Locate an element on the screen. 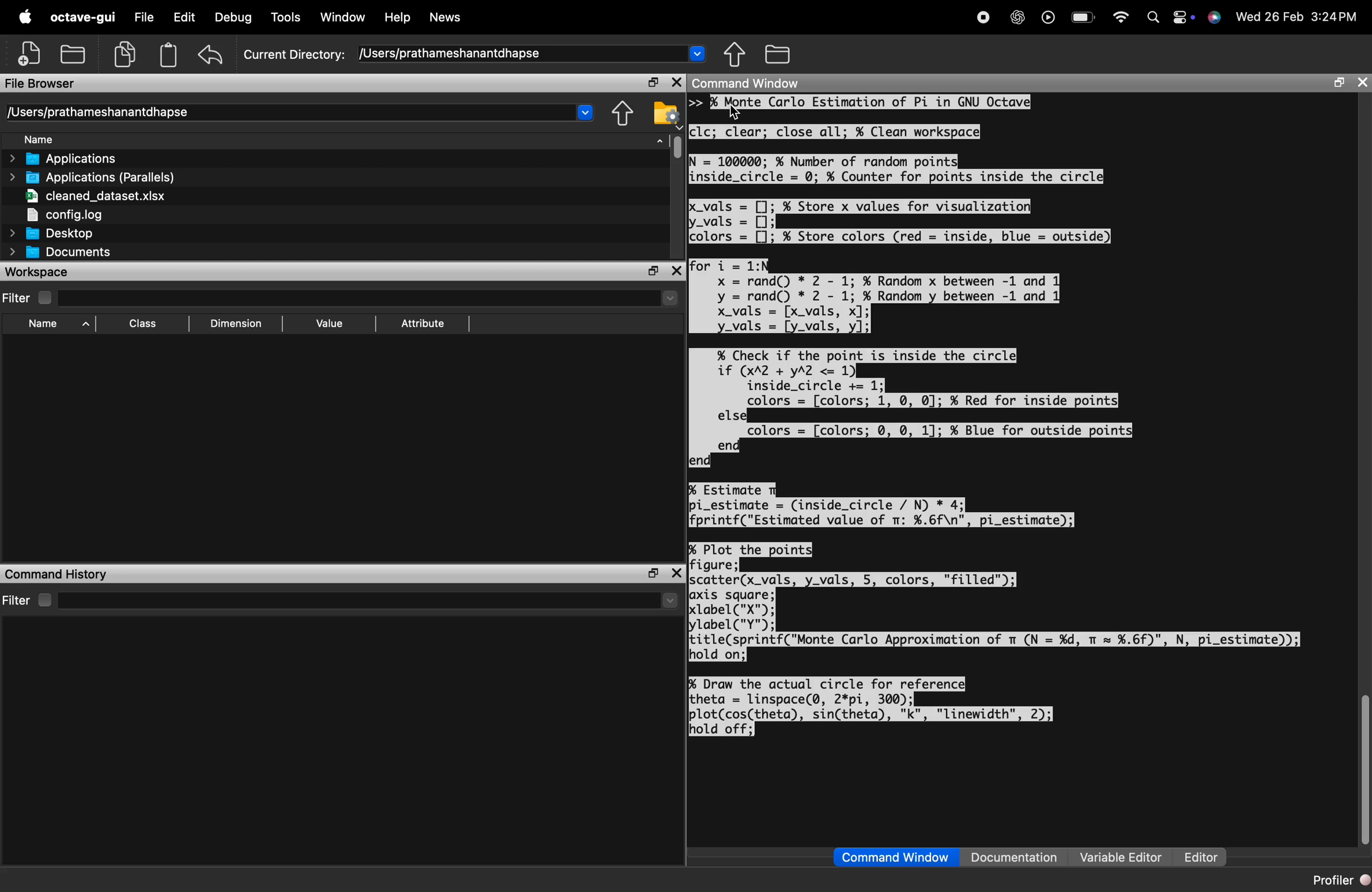 This screenshot has width=1372, height=892. Name is located at coordinates (343, 139).